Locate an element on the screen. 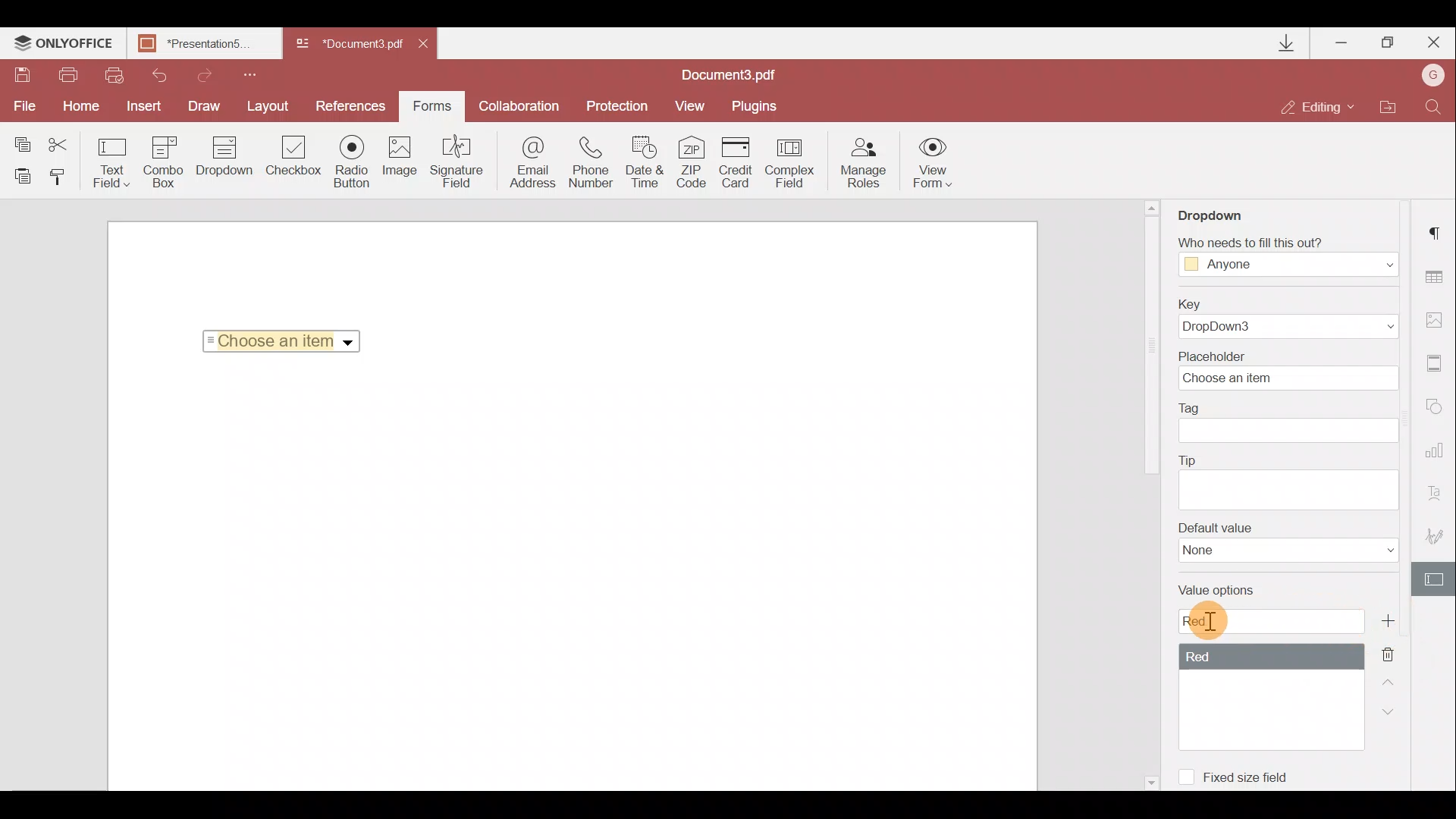  Downloads is located at coordinates (1289, 43).